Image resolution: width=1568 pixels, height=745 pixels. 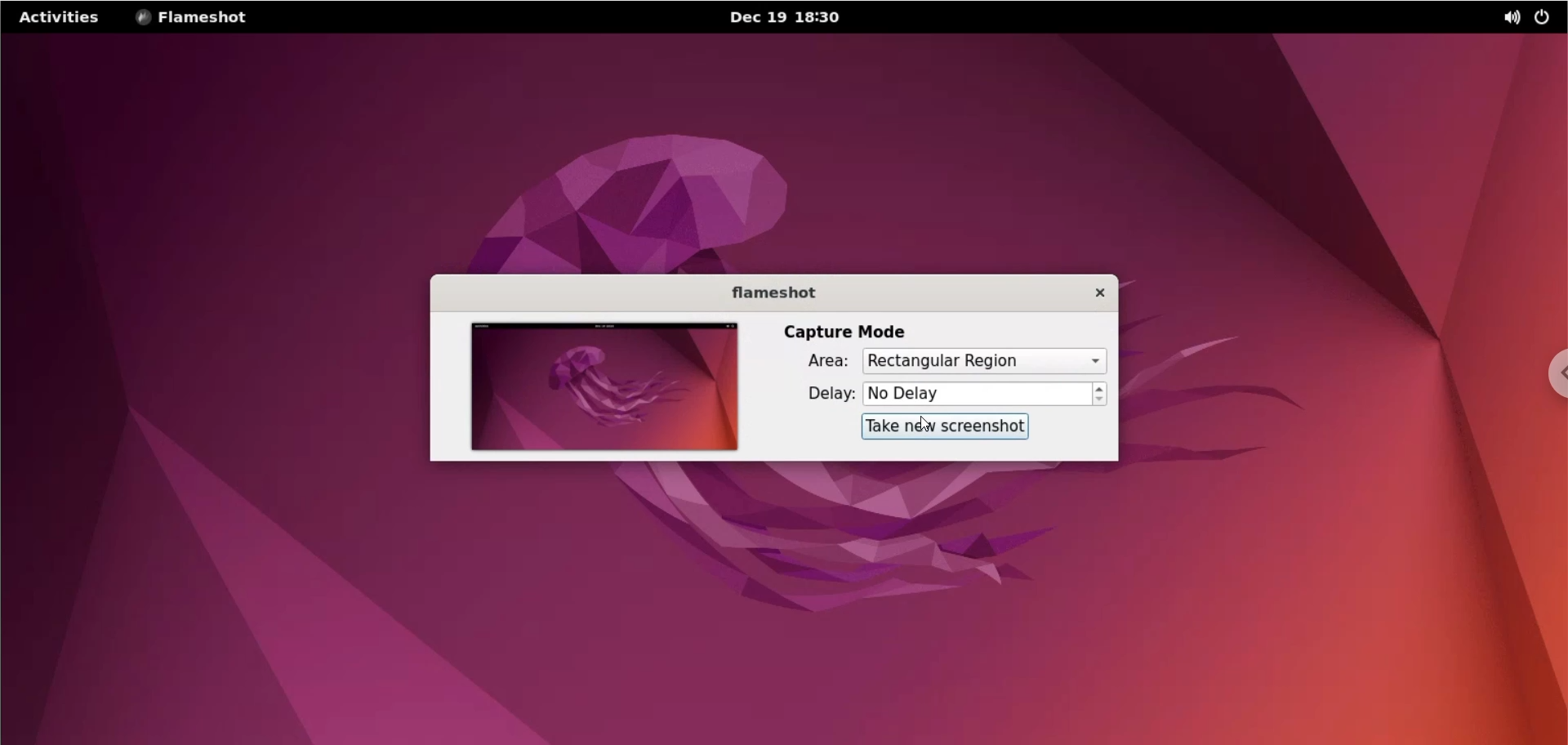 I want to click on chrome options, so click(x=1552, y=373).